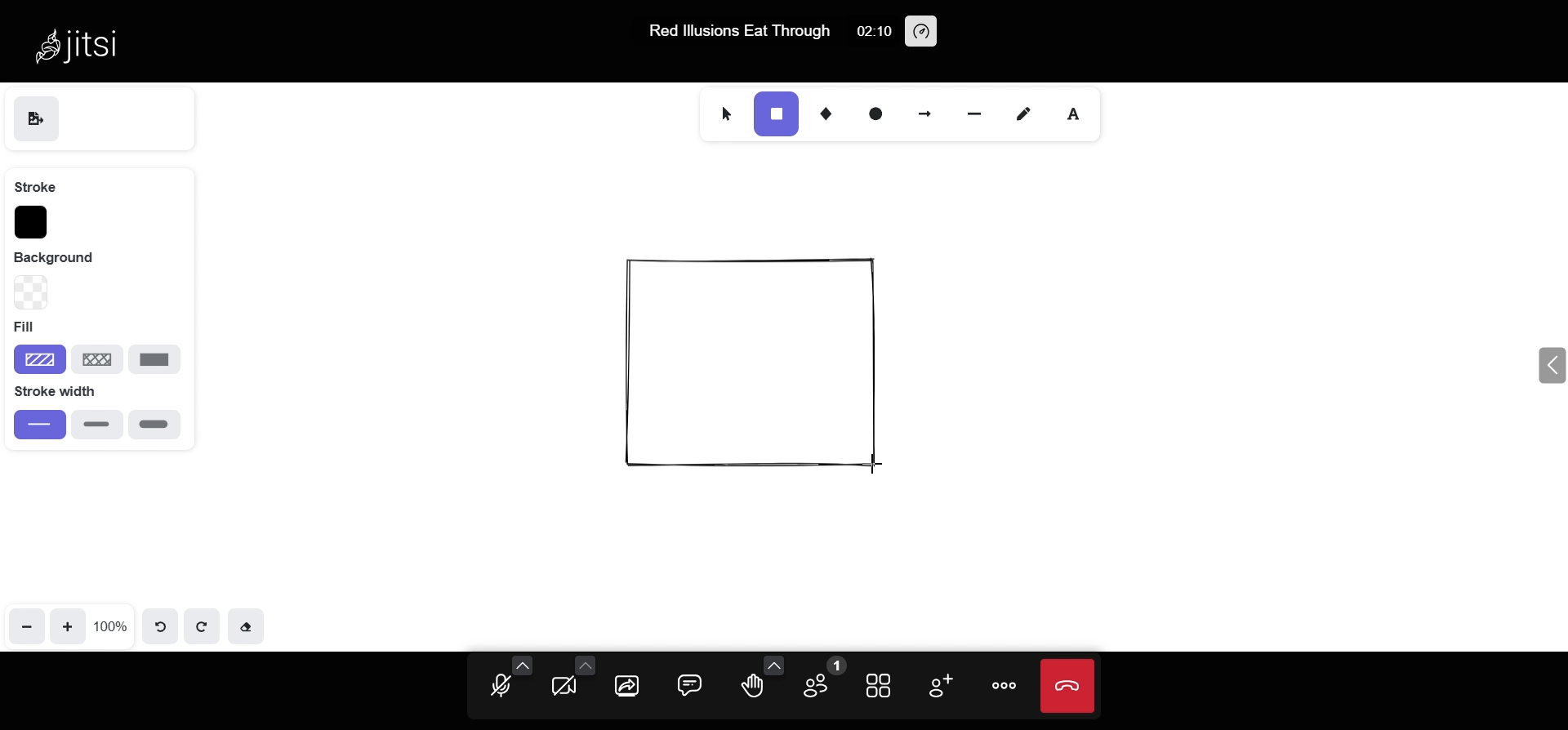  I want to click on hatchure, so click(39, 358).